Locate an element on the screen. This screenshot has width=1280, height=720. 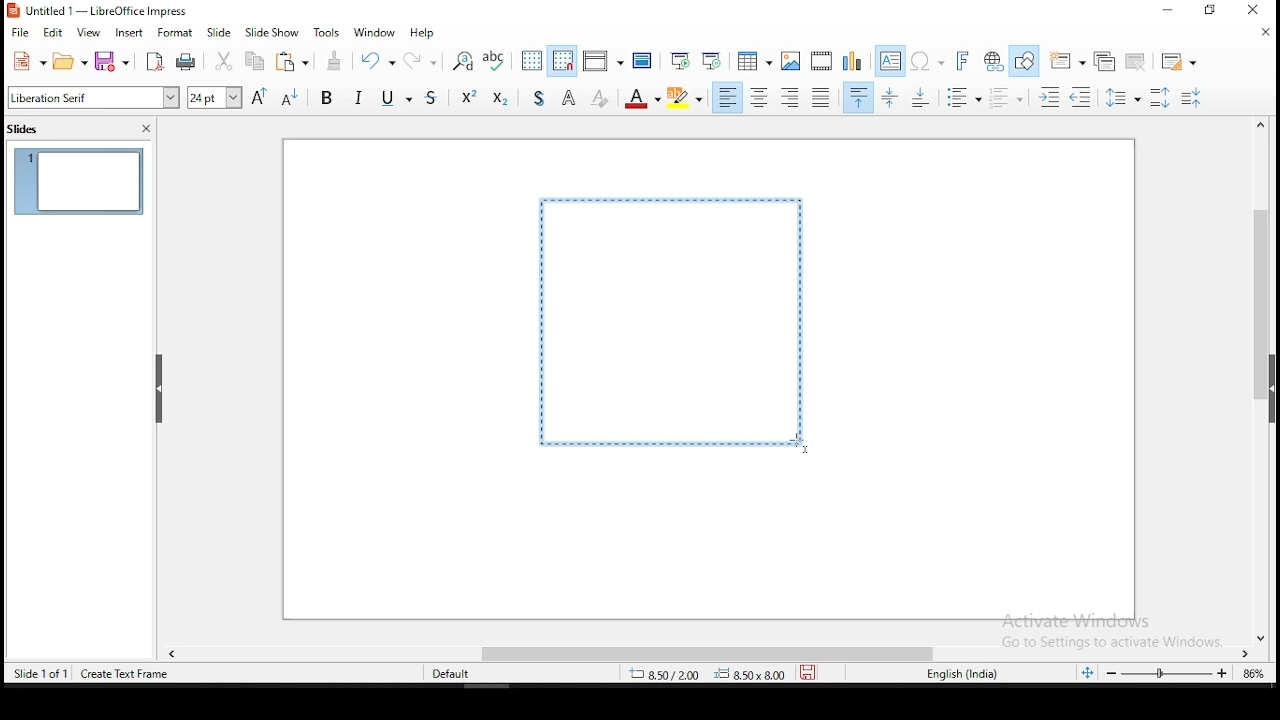
text box is located at coordinates (888, 61).